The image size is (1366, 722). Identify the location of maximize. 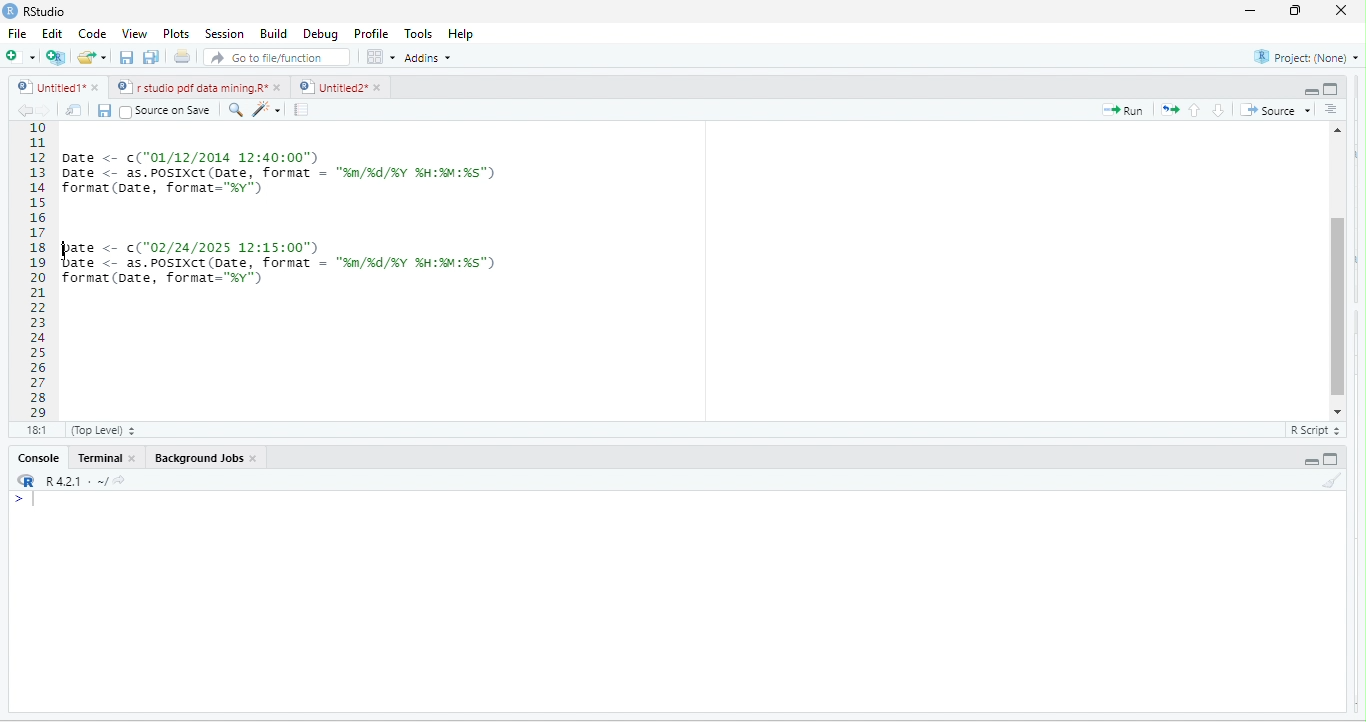
(1292, 12).